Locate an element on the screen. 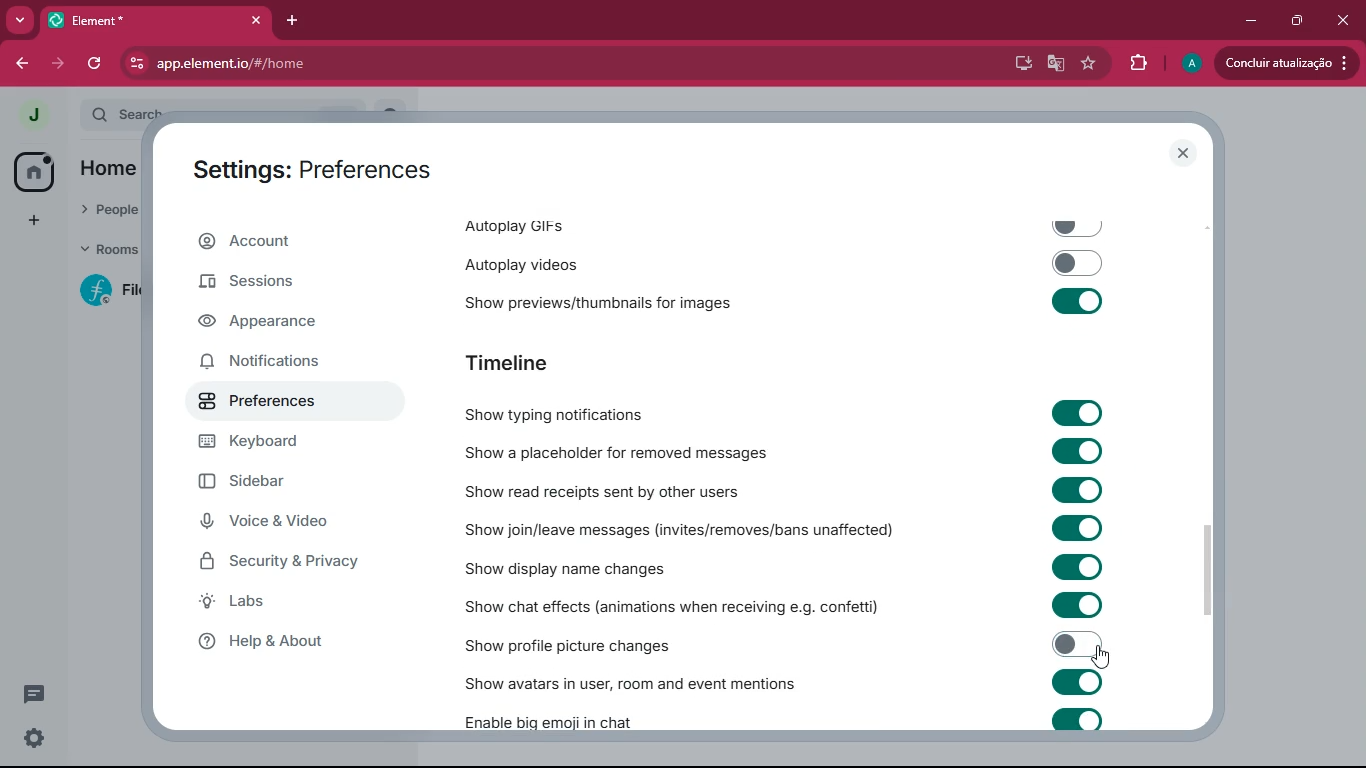 This screenshot has width=1366, height=768. search tabs is located at coordinates (20, 21).